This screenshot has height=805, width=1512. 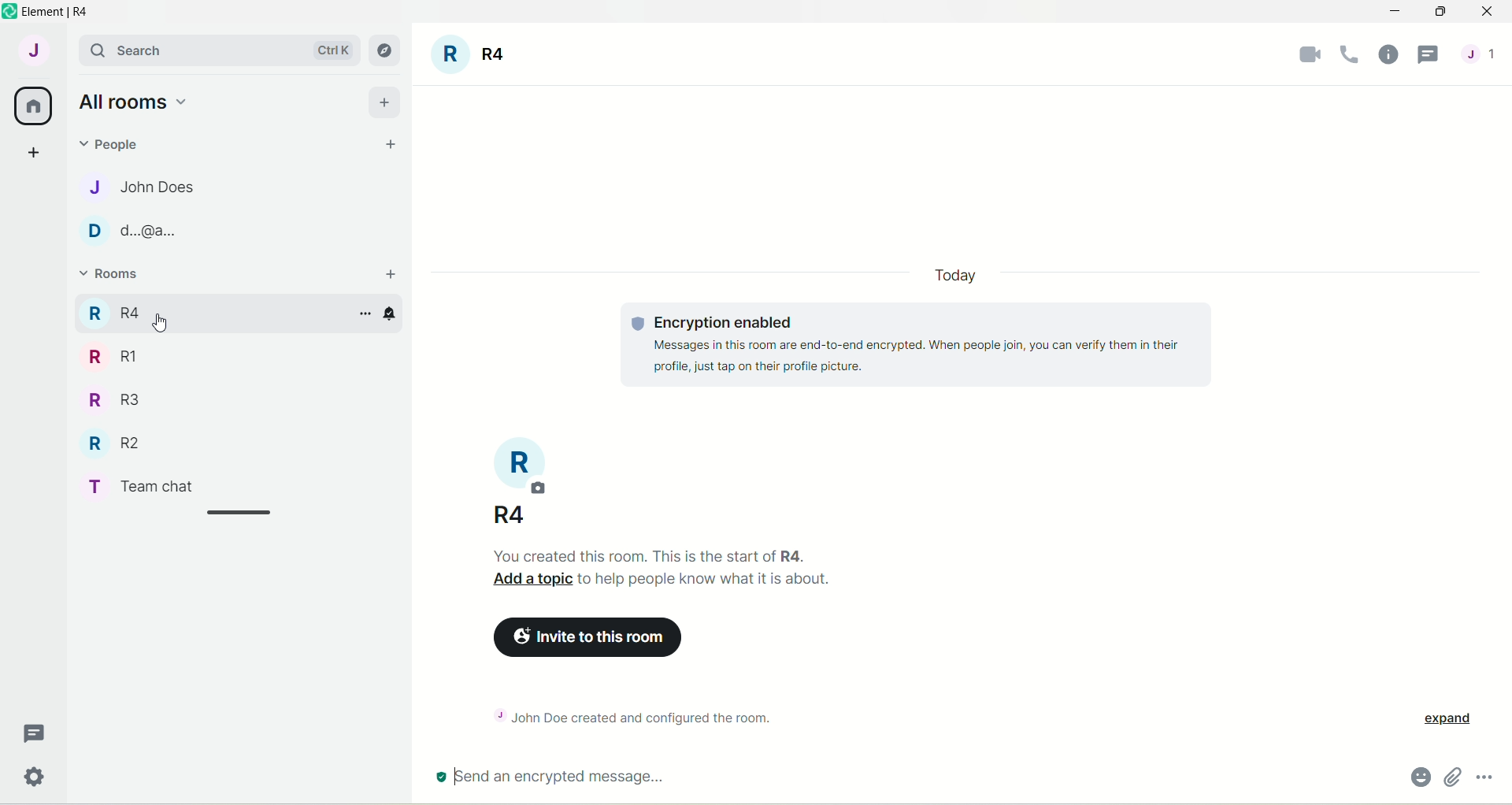 What do you see at coordinates (165, 325) in the screenshot?
I see `Cursor` at bounding box center [165, 325].